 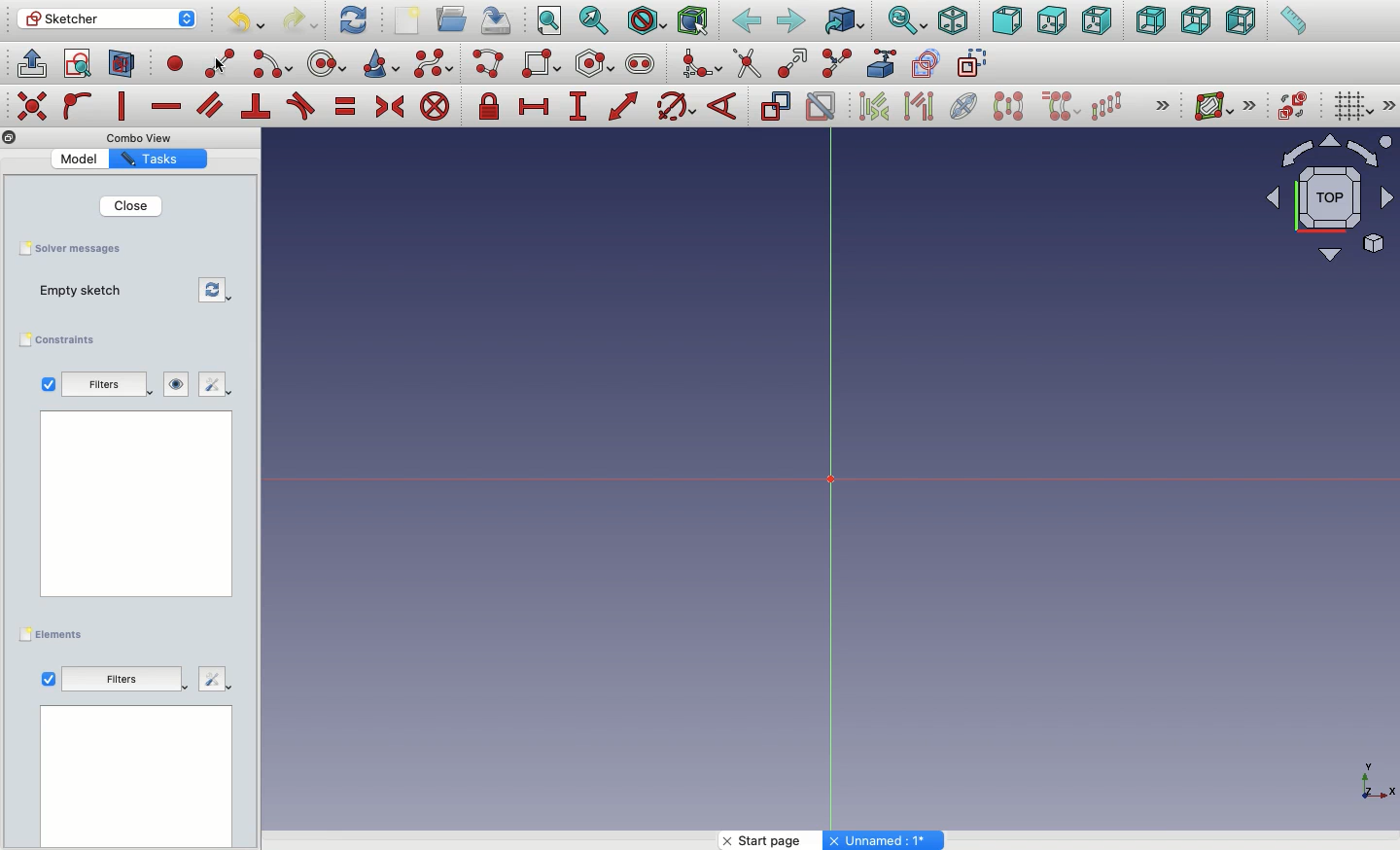 What do you see at coordinates (353, 20) in the screenshot?
I see `Refresh` at bounding box center [353, 20].